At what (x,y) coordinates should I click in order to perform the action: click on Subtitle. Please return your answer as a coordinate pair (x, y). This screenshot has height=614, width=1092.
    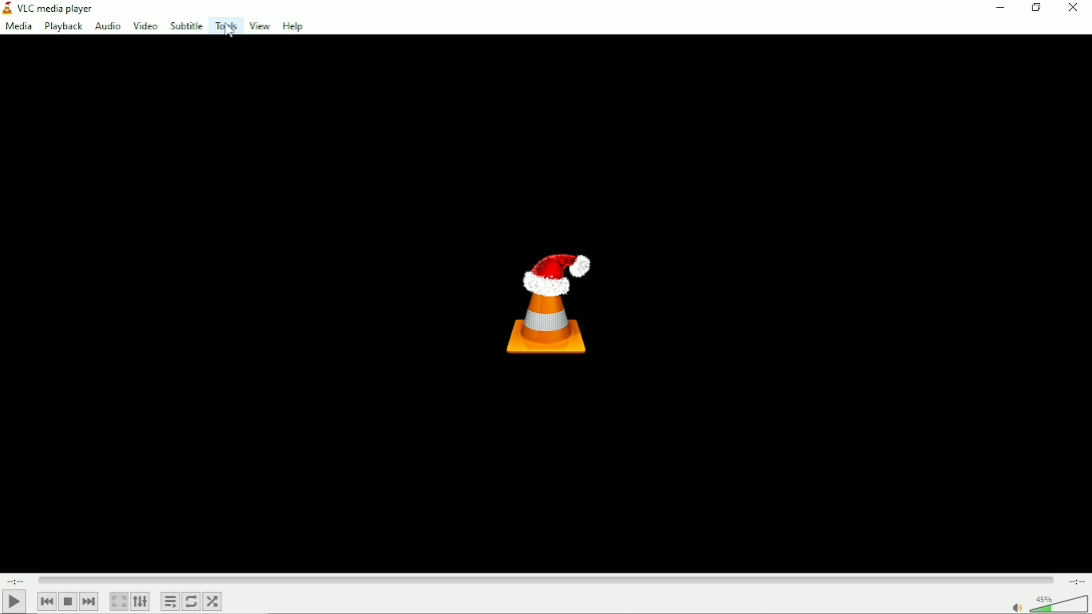
    Looking at the image, I should click on (186, 25).